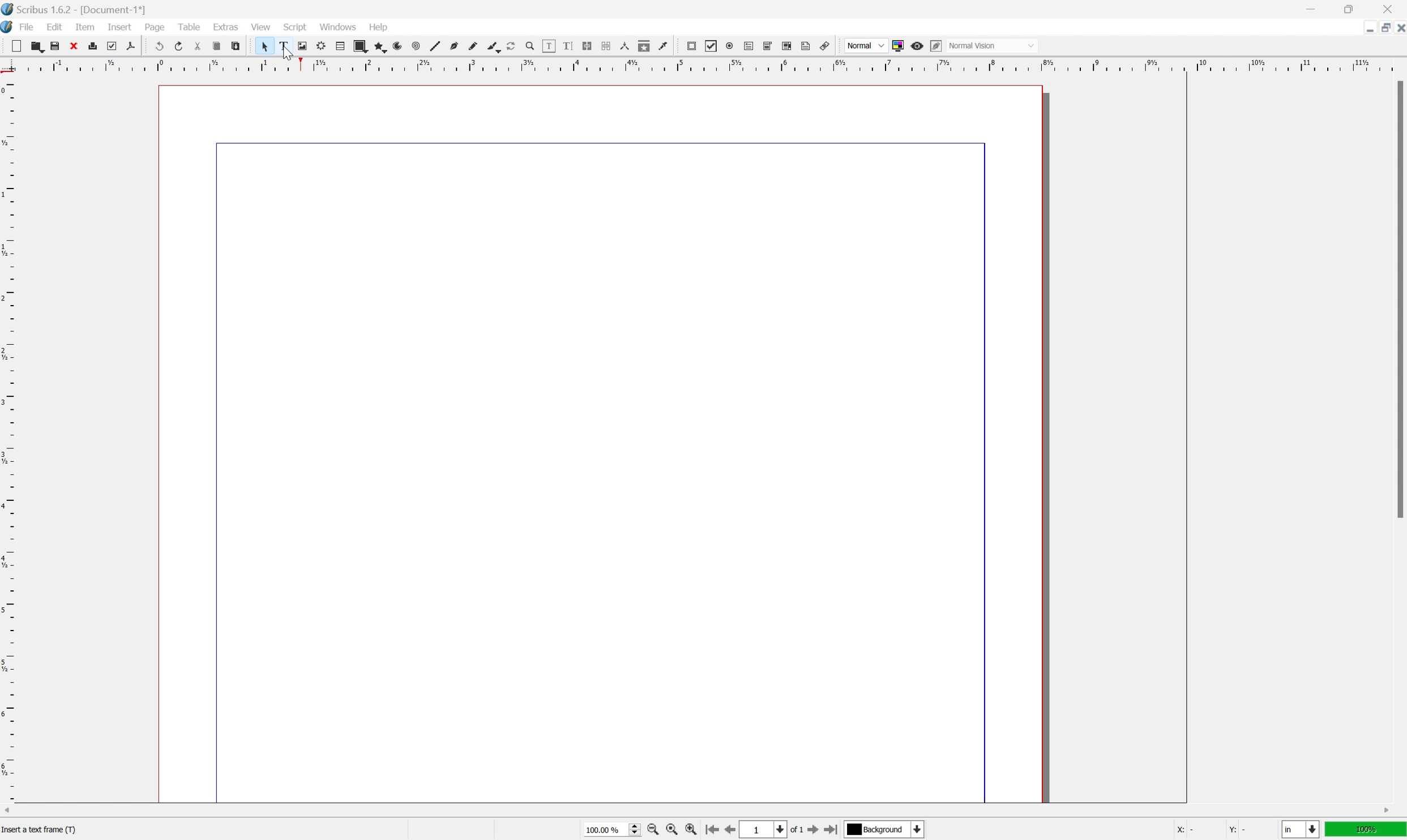 Image resolution: width=1407 pixels, height=840 pixels. Describe the element at coordinates (1398, 29) in the screenshot. I see `close` at that location.